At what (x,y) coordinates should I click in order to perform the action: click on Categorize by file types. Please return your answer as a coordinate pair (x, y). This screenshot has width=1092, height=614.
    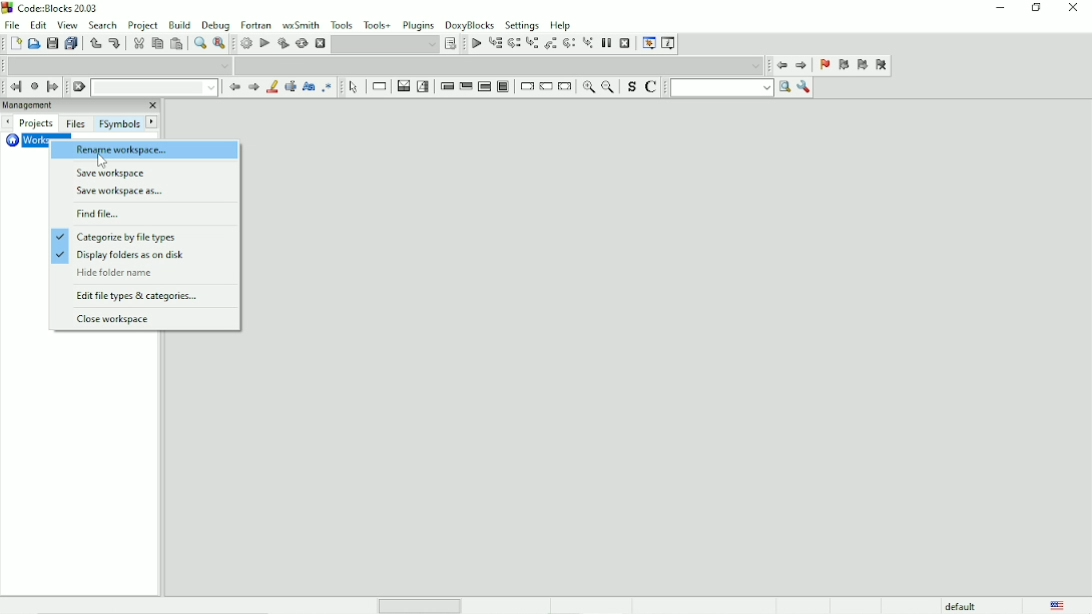
    Looking at the image, I should click on (120, 237).